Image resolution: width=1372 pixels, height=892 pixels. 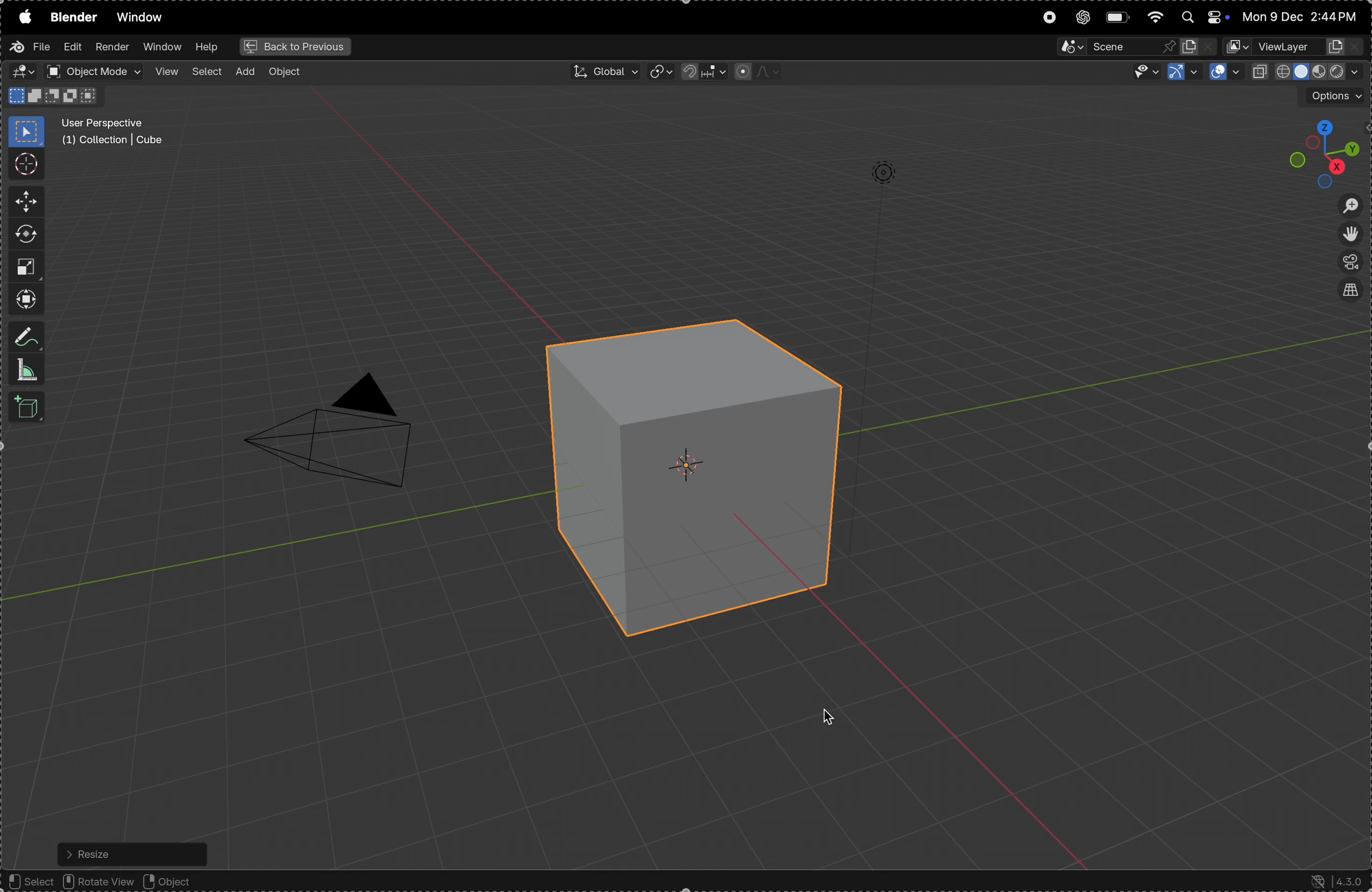 I want to click on view source, so click(x=1352, y=292).